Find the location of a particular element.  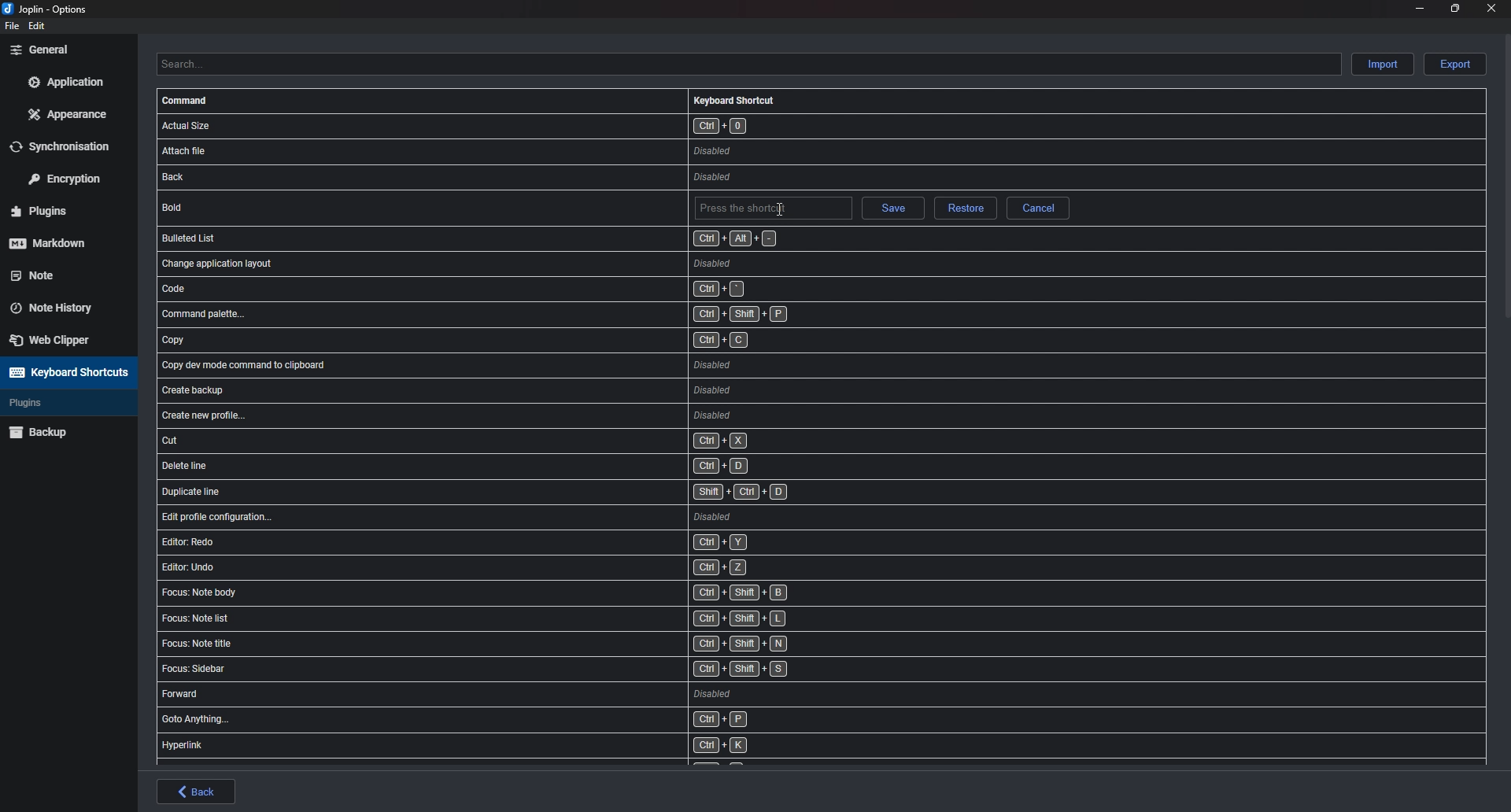

save is located at coordinates (892, 210).